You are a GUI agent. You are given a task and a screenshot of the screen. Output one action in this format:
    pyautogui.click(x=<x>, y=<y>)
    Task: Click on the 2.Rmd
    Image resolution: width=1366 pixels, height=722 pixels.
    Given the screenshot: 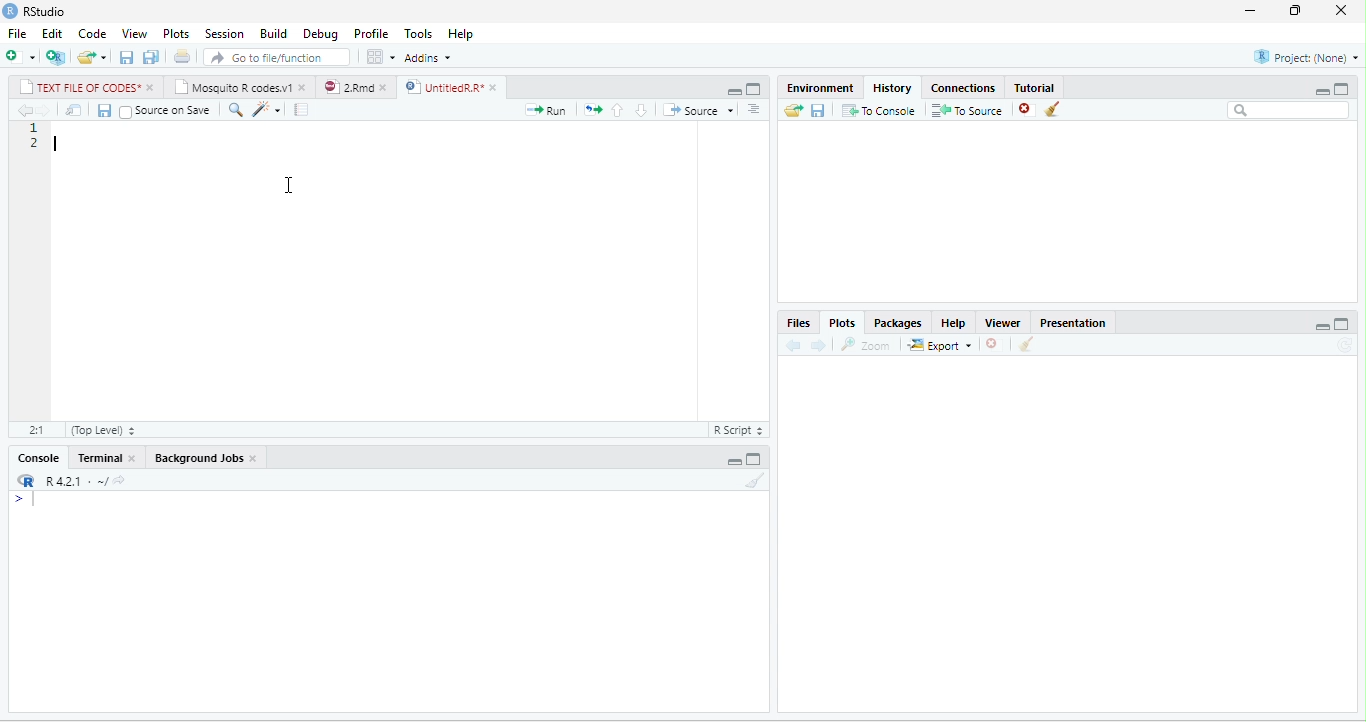 What is the action you would take?
    pyautogui.click(x=348, y=87)
    